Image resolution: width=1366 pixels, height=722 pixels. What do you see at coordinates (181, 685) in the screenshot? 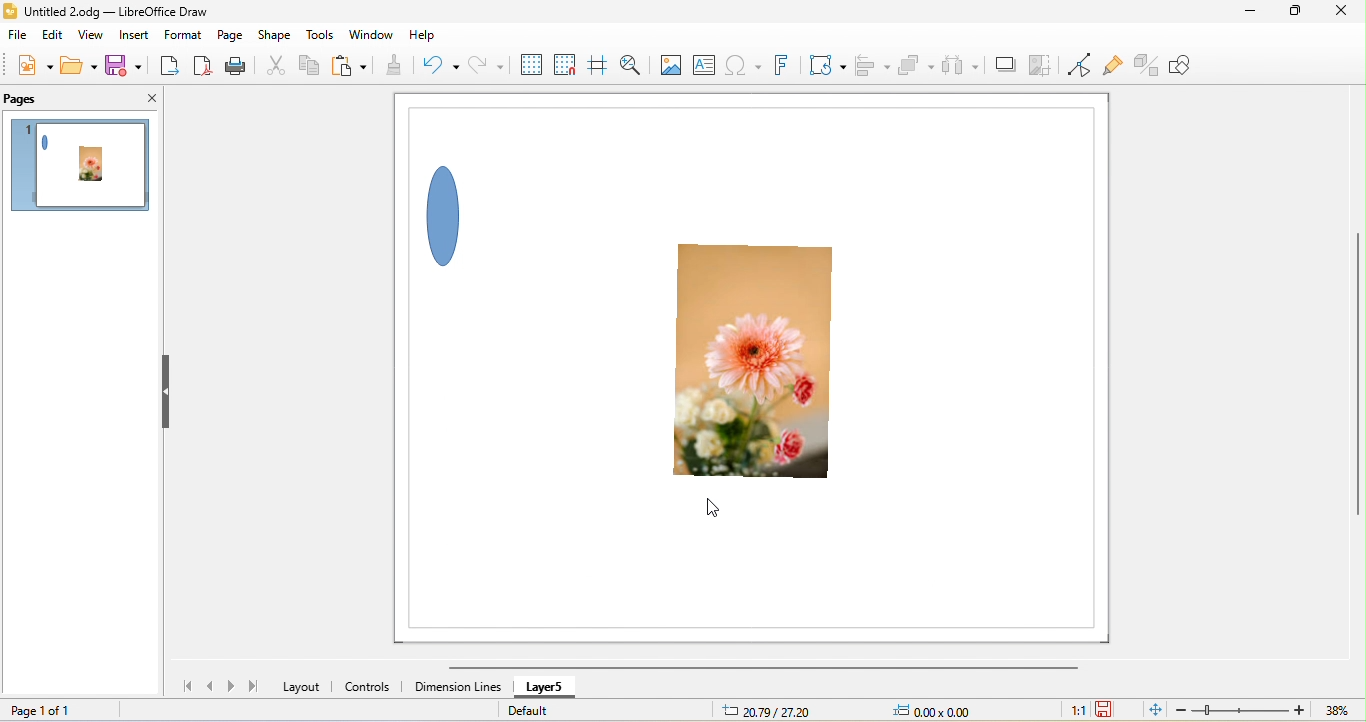
I see `first page` at bounding box center [181, 685].